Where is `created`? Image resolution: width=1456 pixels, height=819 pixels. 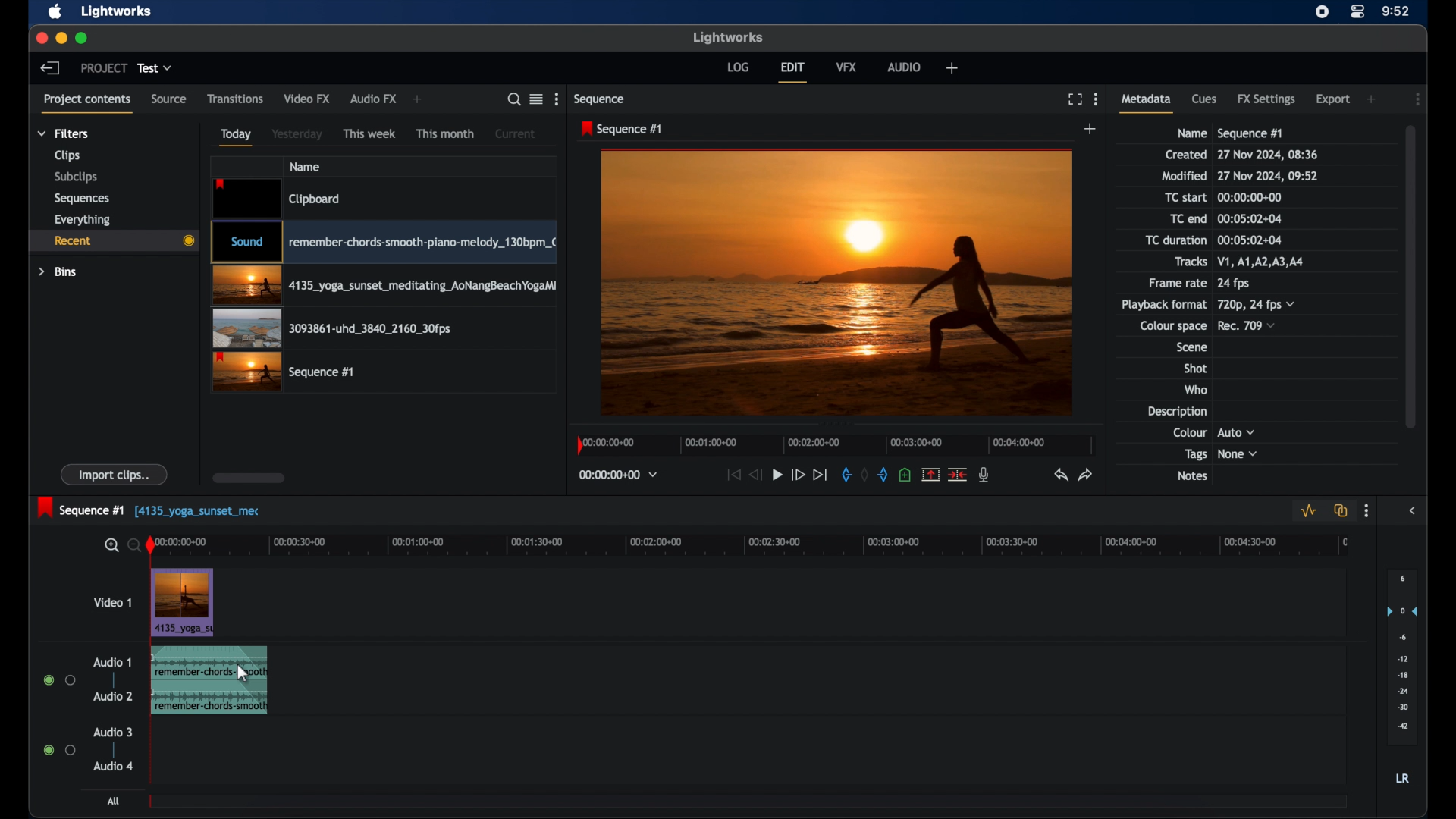 created is located at coordinates (1186, 155).